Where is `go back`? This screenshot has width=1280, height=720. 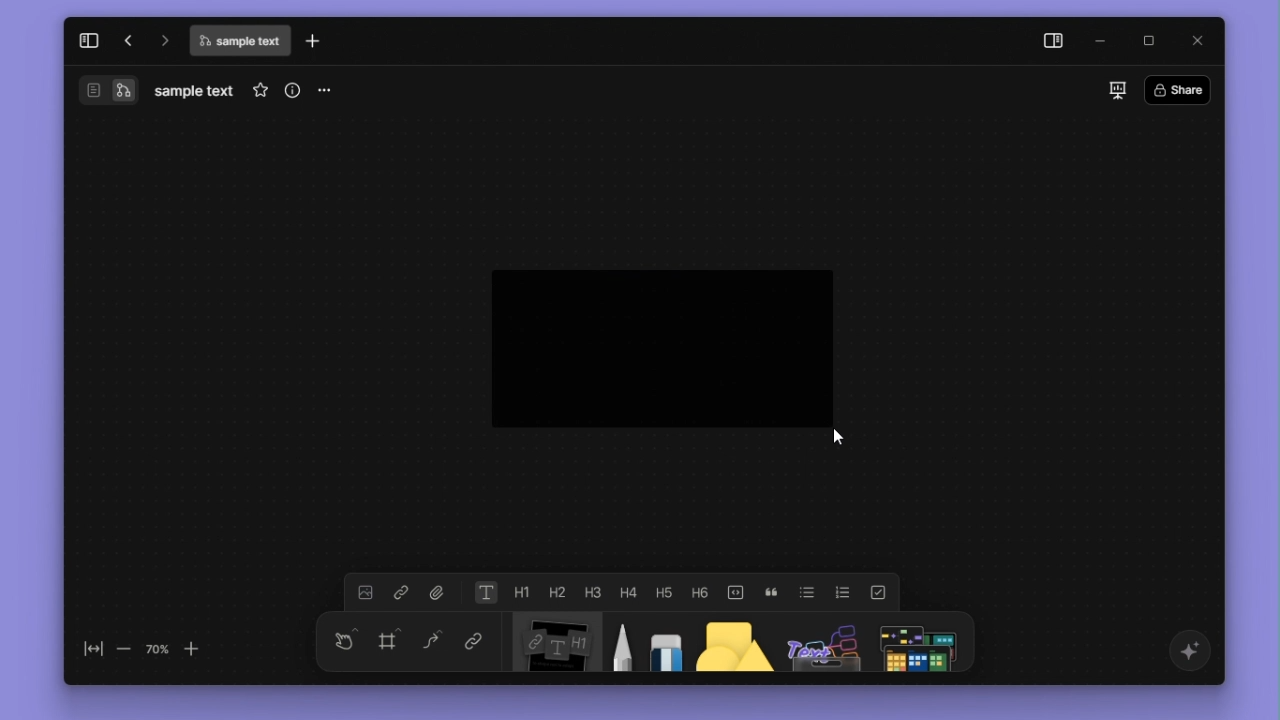 go back is located at coordinates (126, 40).